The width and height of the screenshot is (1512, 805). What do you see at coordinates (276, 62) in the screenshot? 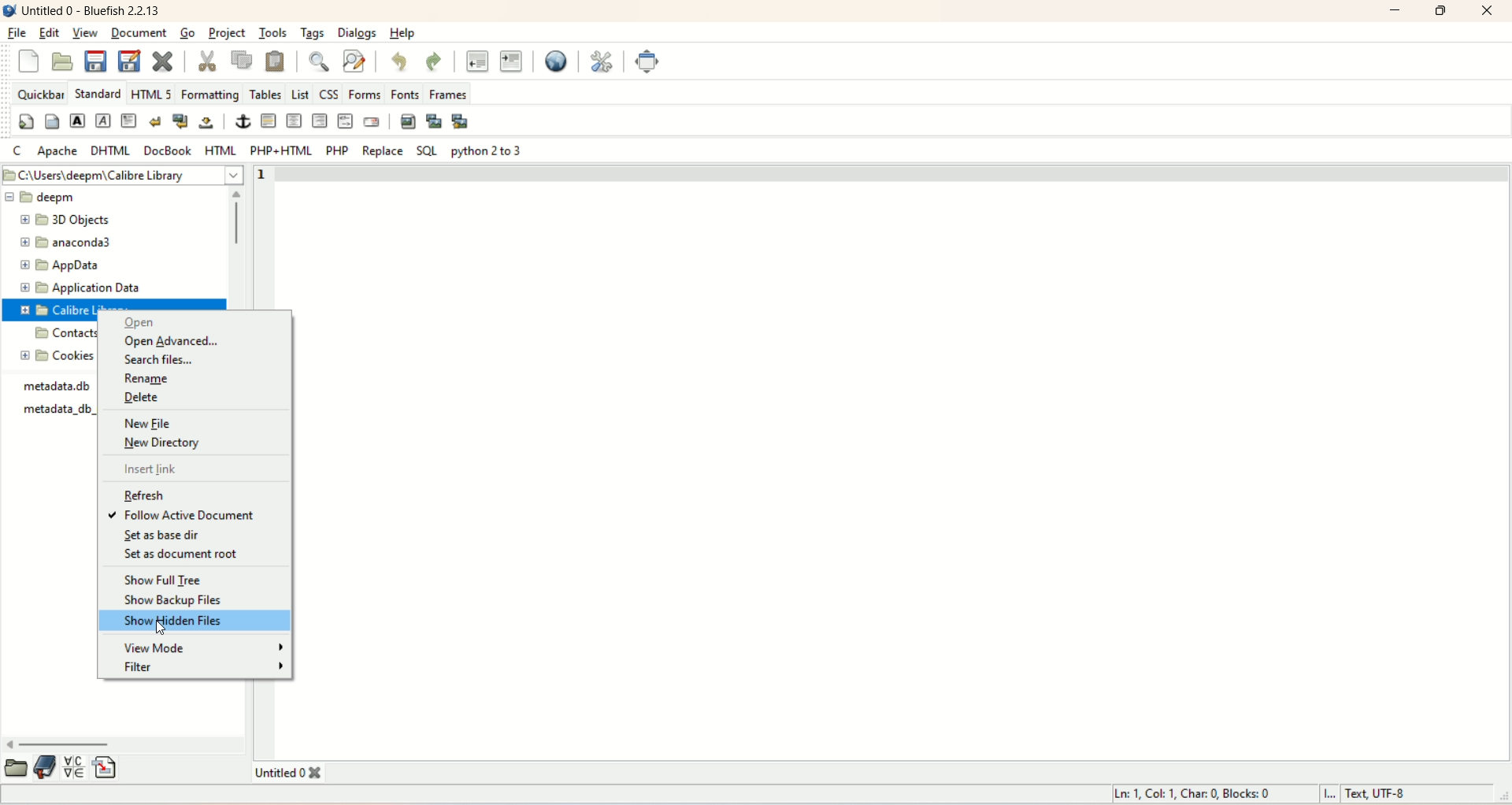
I see `paste` at bounding box center [276, 62].